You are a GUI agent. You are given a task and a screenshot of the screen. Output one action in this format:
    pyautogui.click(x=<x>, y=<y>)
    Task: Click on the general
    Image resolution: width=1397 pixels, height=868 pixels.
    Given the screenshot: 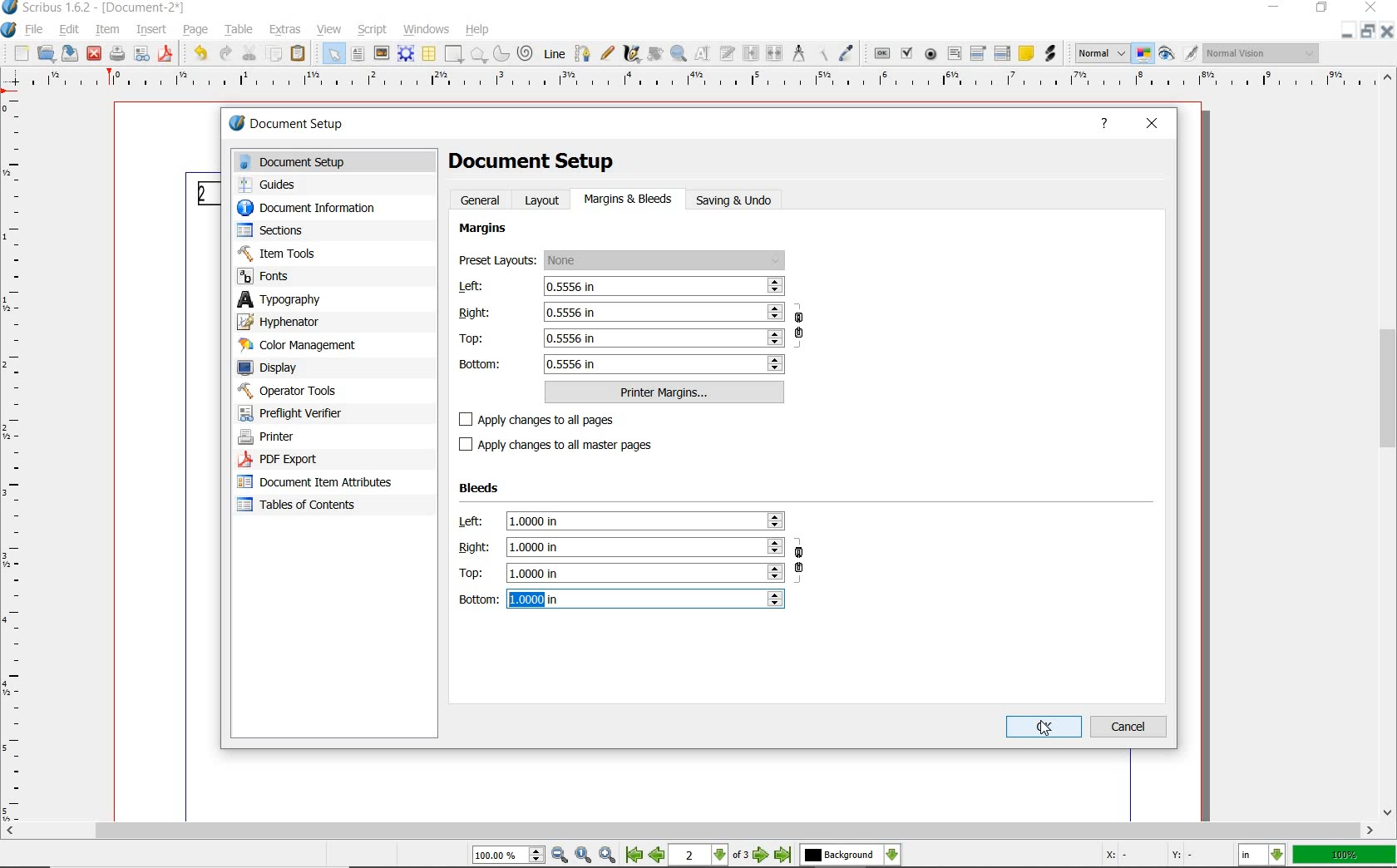 What is the action you would take?
    pyautogui.click(x=481, y=200)
    